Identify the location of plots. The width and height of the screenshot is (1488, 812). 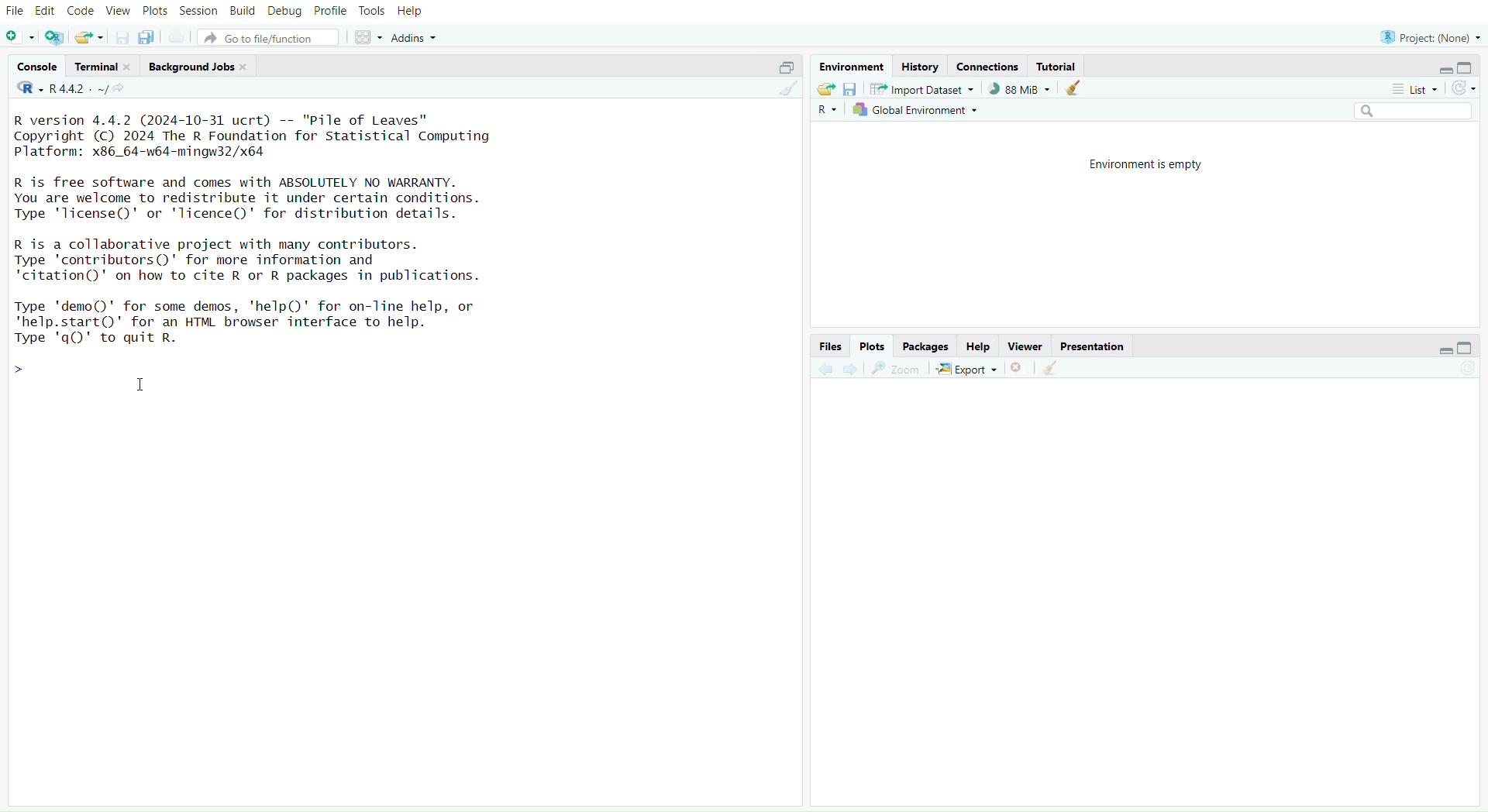
(155, 11).